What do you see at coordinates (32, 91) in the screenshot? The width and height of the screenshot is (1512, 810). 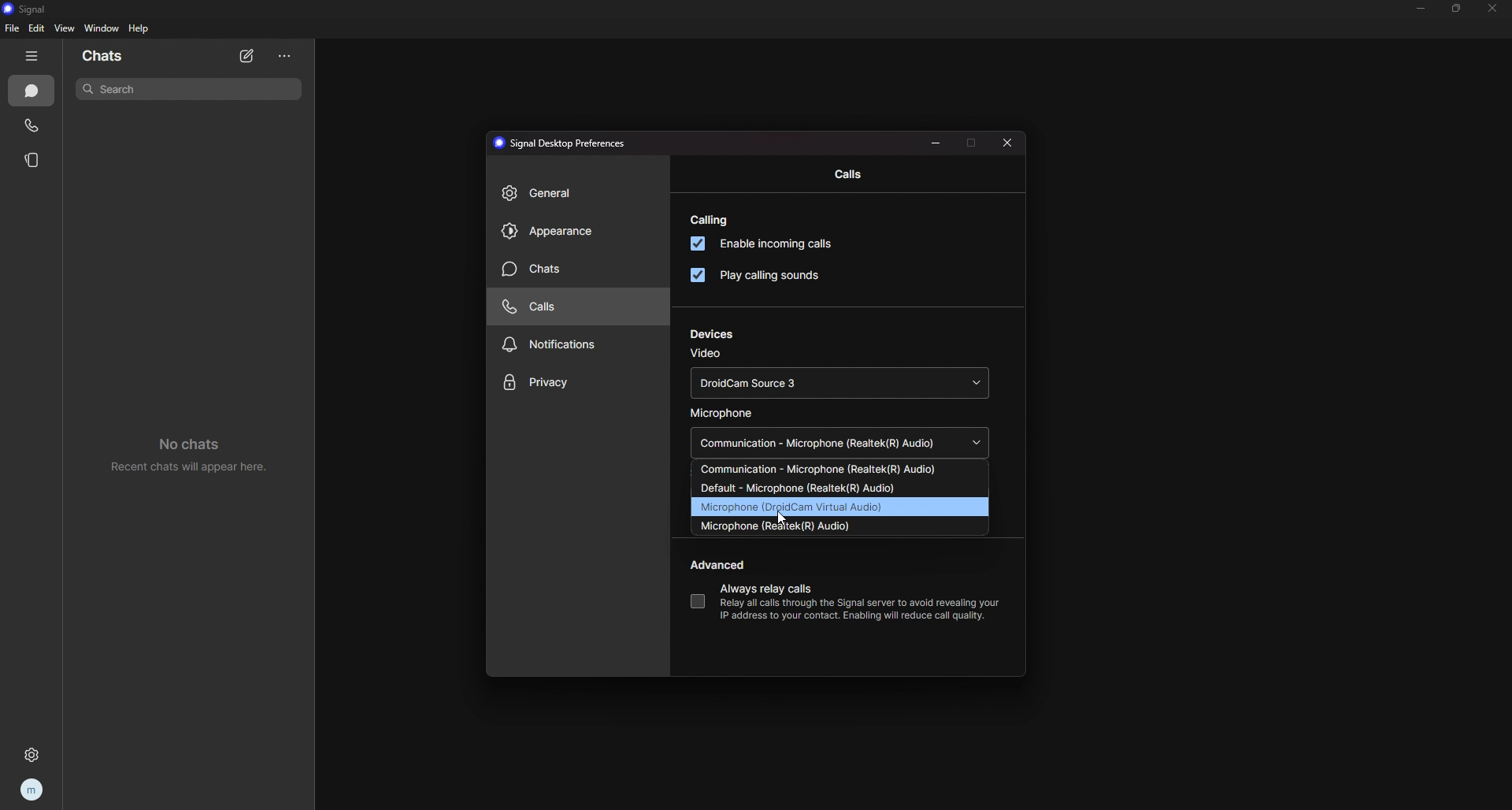 I see `chats` at bounding box center [32, 91].